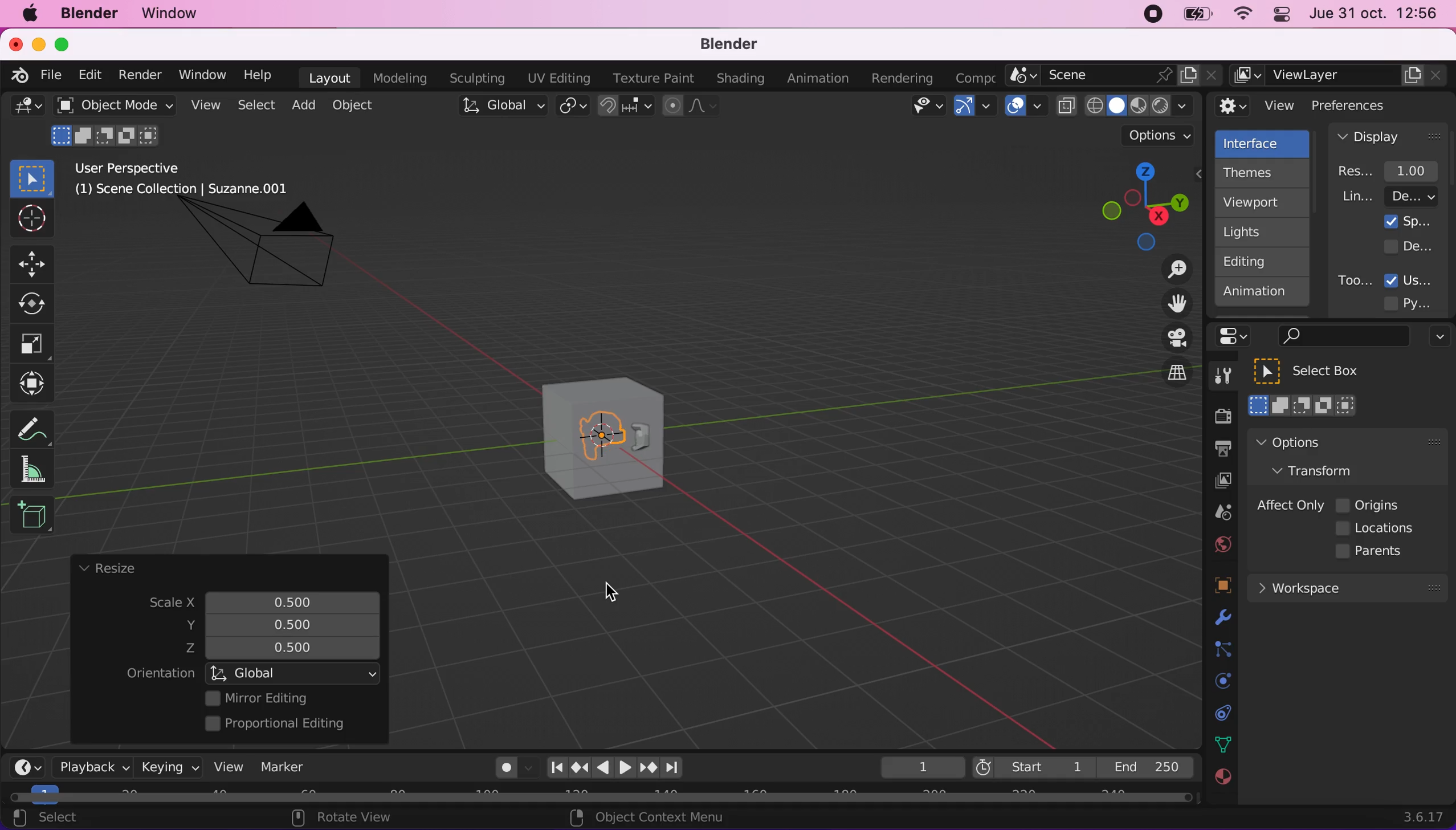 This screenshot has width=1456, height=830. I want to click on workspace, so click(1347, 587).